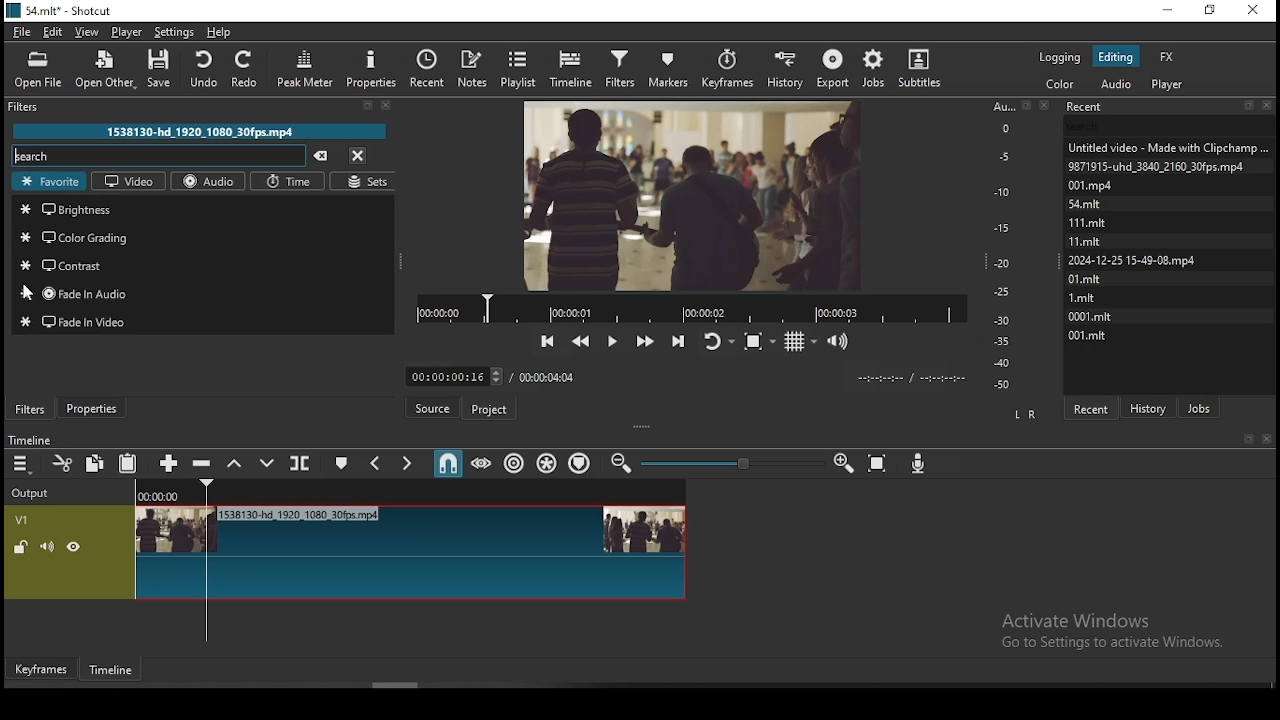 Image resolution: width=1280 pixels, height=720 pixels. Describe the element at coordinates (1108, 202) in the screenshot. I see `54.mit` at that location.